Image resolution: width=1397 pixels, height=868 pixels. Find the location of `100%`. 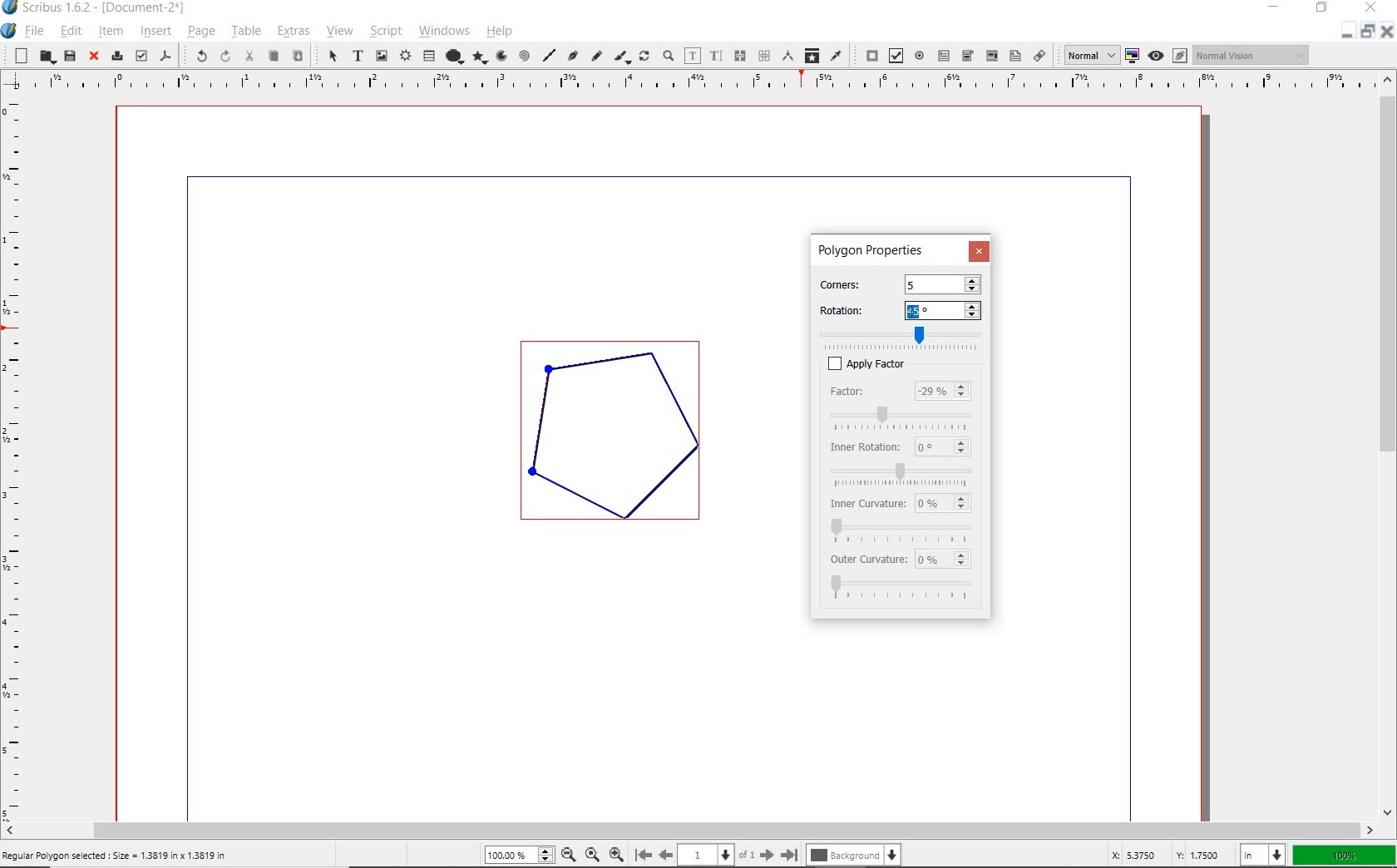

100% is located at coordinates (1341, 854).